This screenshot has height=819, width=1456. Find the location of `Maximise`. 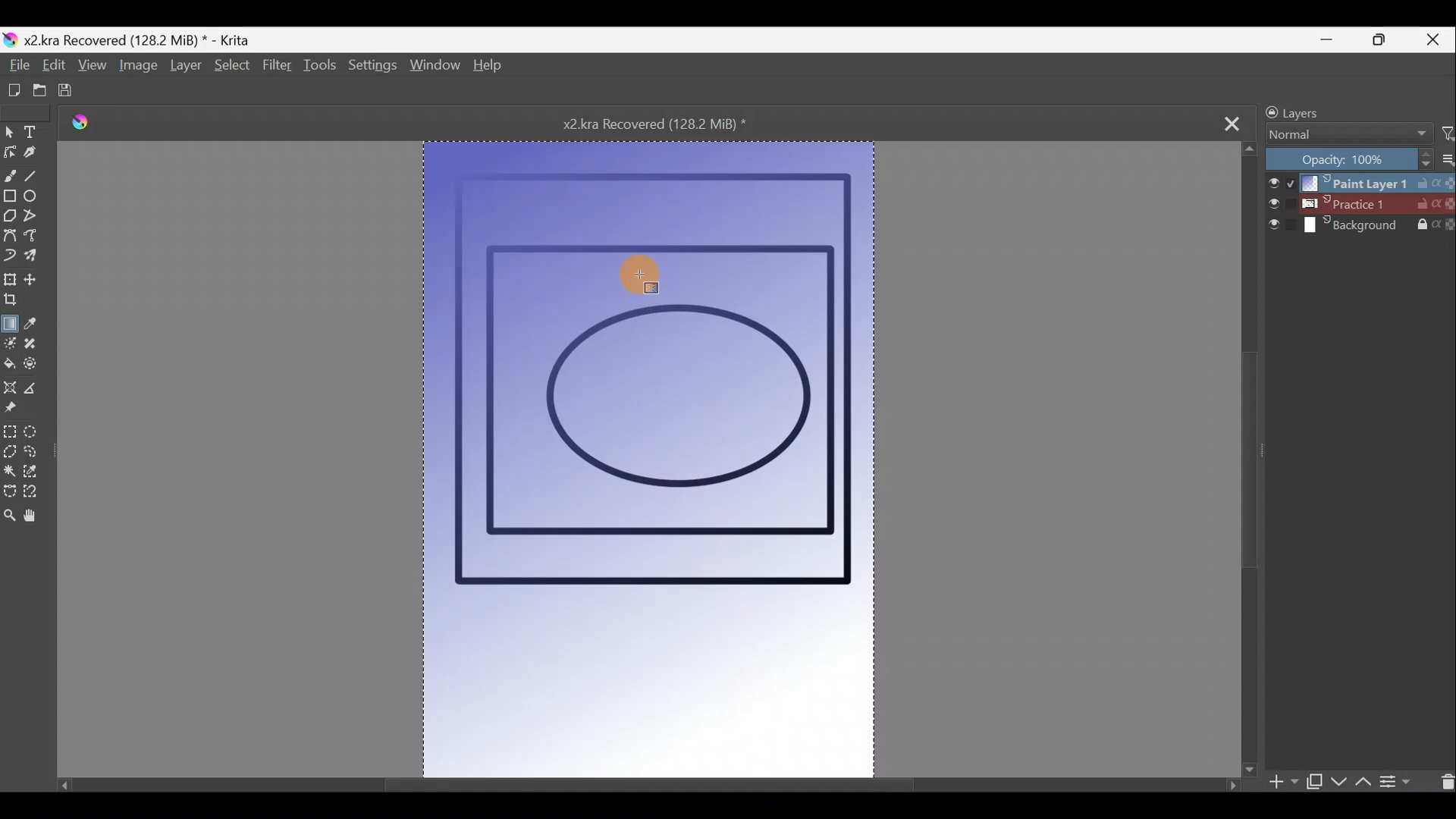

Maximise is located at coordinates (1386, 40).